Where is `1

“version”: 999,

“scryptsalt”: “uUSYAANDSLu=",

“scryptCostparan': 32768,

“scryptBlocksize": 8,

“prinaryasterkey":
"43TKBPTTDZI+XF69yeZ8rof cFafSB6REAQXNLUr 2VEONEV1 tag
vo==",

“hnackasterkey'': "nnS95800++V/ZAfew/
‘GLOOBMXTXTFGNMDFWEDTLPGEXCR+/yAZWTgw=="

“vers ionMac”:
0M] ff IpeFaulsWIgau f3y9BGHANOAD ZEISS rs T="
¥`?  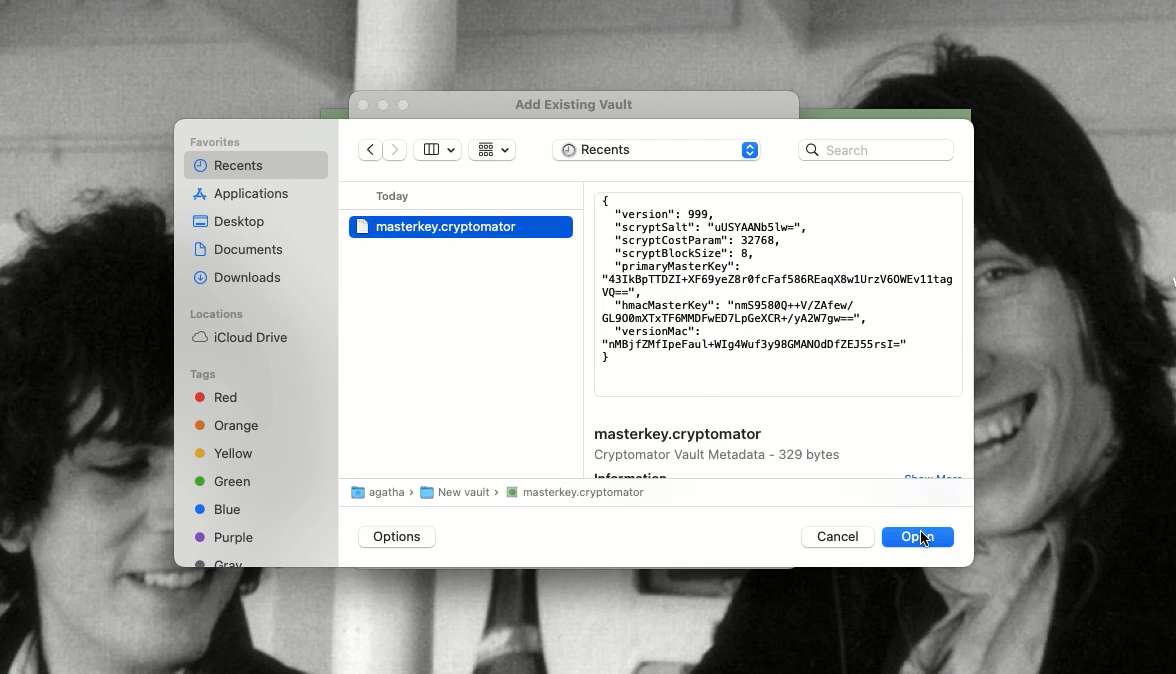
1

“version”: 999,

“scryptsalt”: “uUSYAANDSLu=",

“scryptCostparan': 32768,

“scryptBlocksize": 8,

“prinaryasterkey":
"43TKBPTTDZI+XF69yeZ8rof cFafSB6REAQXNLUr 2VEONEV1 tag
vo==",

“hnackasterkey'': "nnS95800++V/ZAfew/
‘GLOOBMXTXTFGNMDFWEDTLPGEXCR+/yAZWTgw=="

“vers ionMac”:
0M] ff IpeFaulsWIgau f3y9BGHANOAD ZEISS rs T="
¥ is located at coordinates (777, 280).